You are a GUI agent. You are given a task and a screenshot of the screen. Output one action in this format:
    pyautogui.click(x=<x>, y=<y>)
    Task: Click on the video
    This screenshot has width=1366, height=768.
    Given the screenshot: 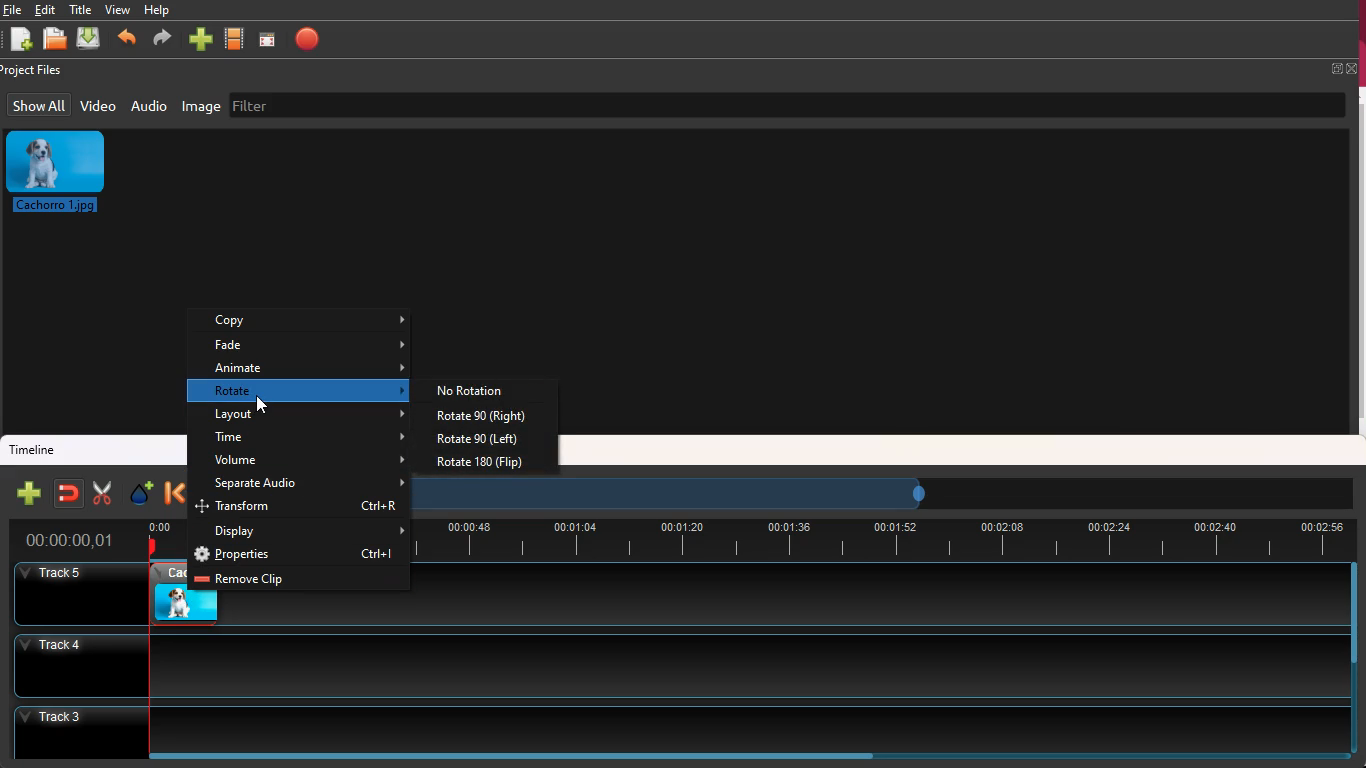 What is the action you would take?
    pyautogui.click(x=96, y=108)
    